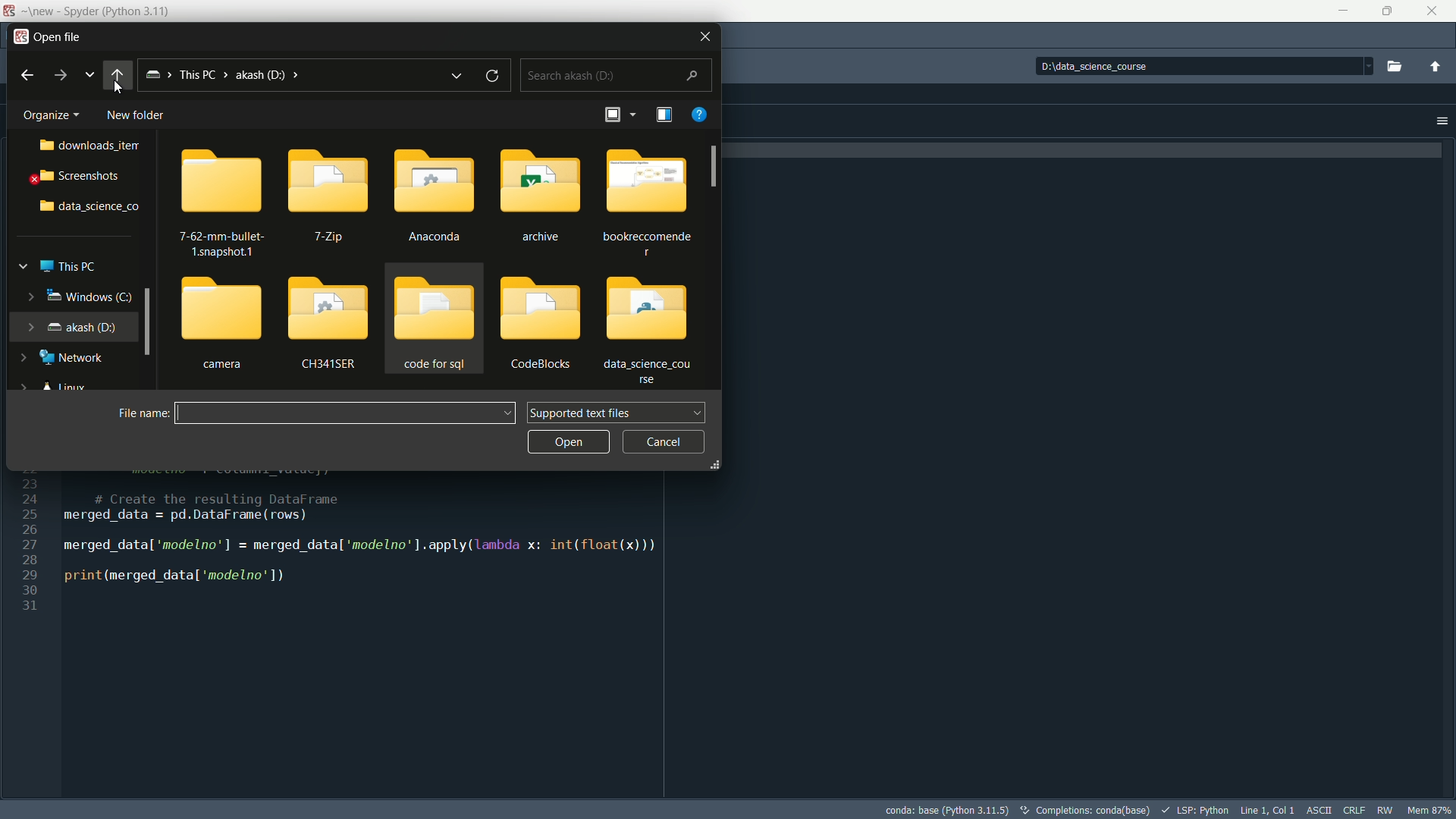 This screenshot has height=819, width=1456. What do you see at coordinates (617, 114) in the screenshot?
I see `change the view` at bounding box center [617, 114].